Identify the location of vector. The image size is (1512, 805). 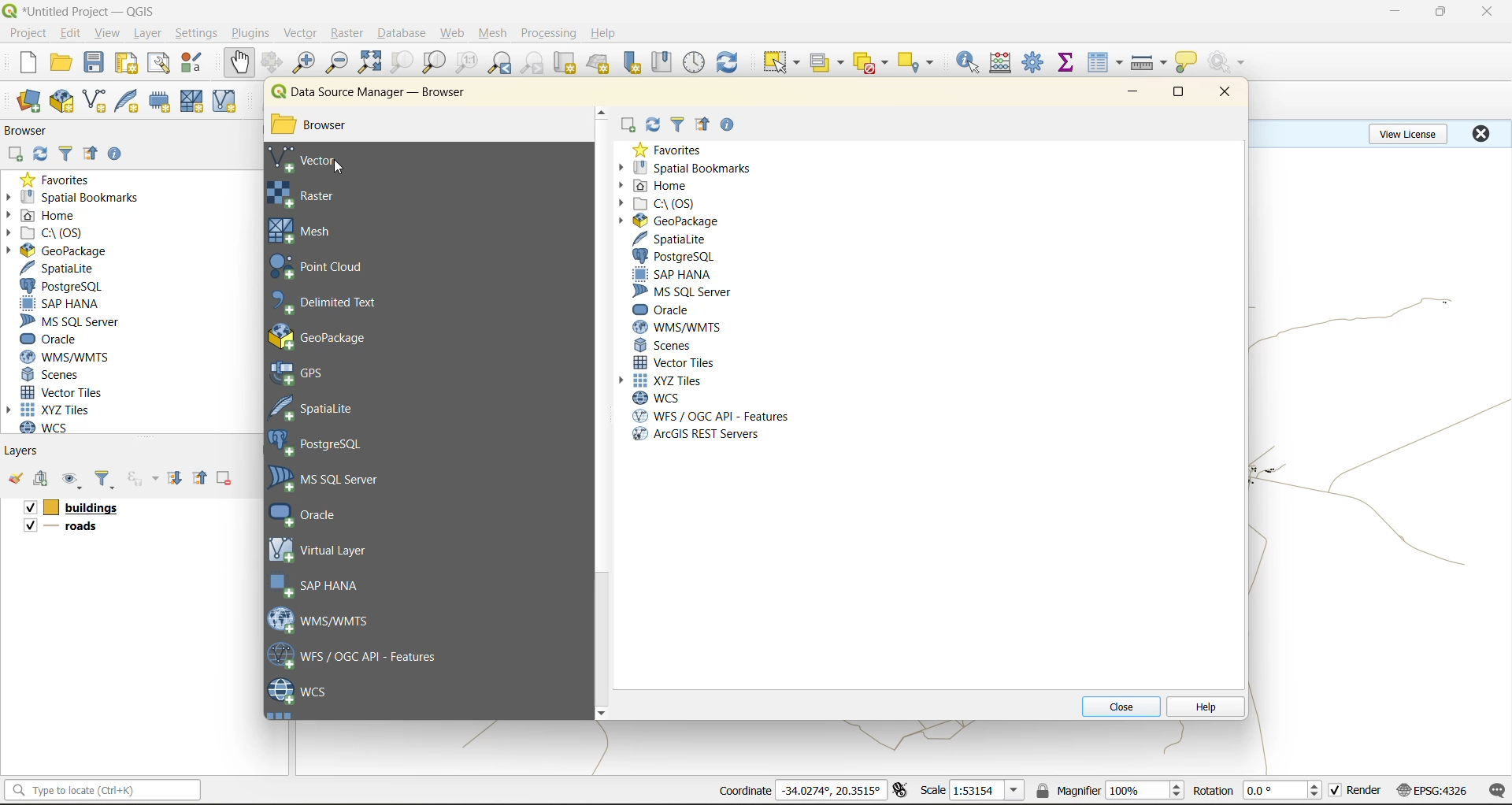
(316, 160).